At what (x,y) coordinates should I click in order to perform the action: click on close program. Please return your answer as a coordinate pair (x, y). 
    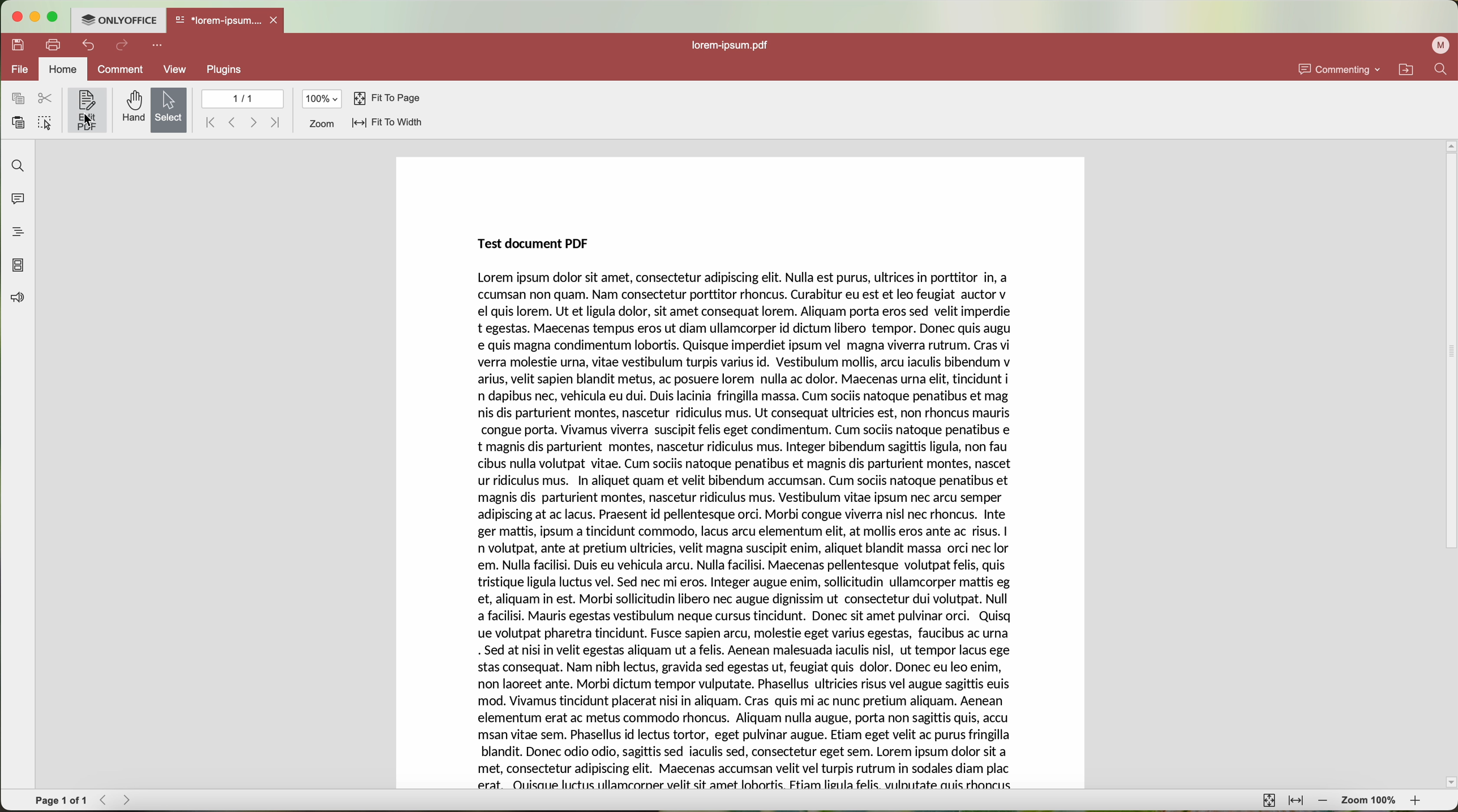
    Looking at the image, I should click on (19, 18).